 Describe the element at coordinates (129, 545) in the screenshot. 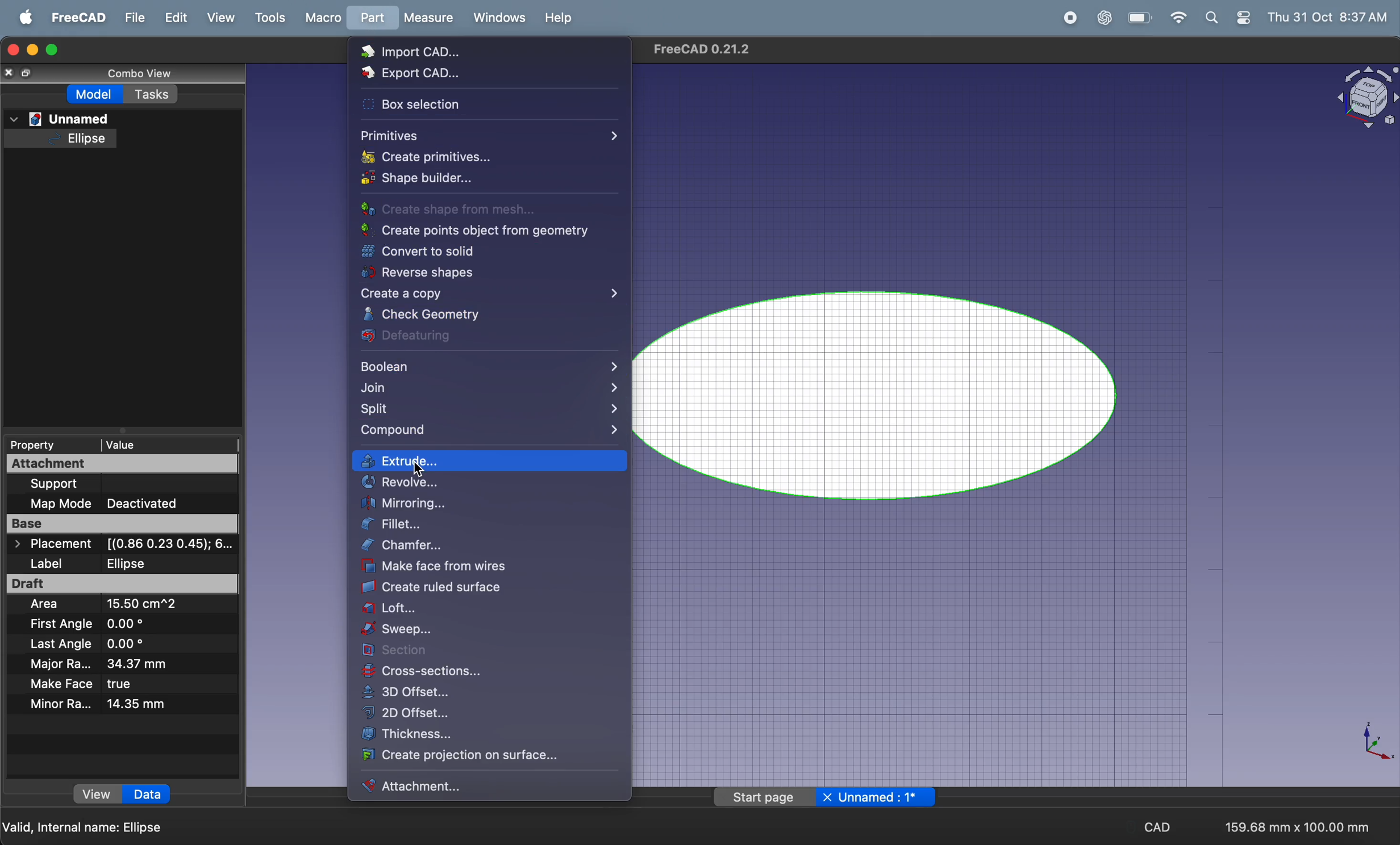

I see `placement` at that location.